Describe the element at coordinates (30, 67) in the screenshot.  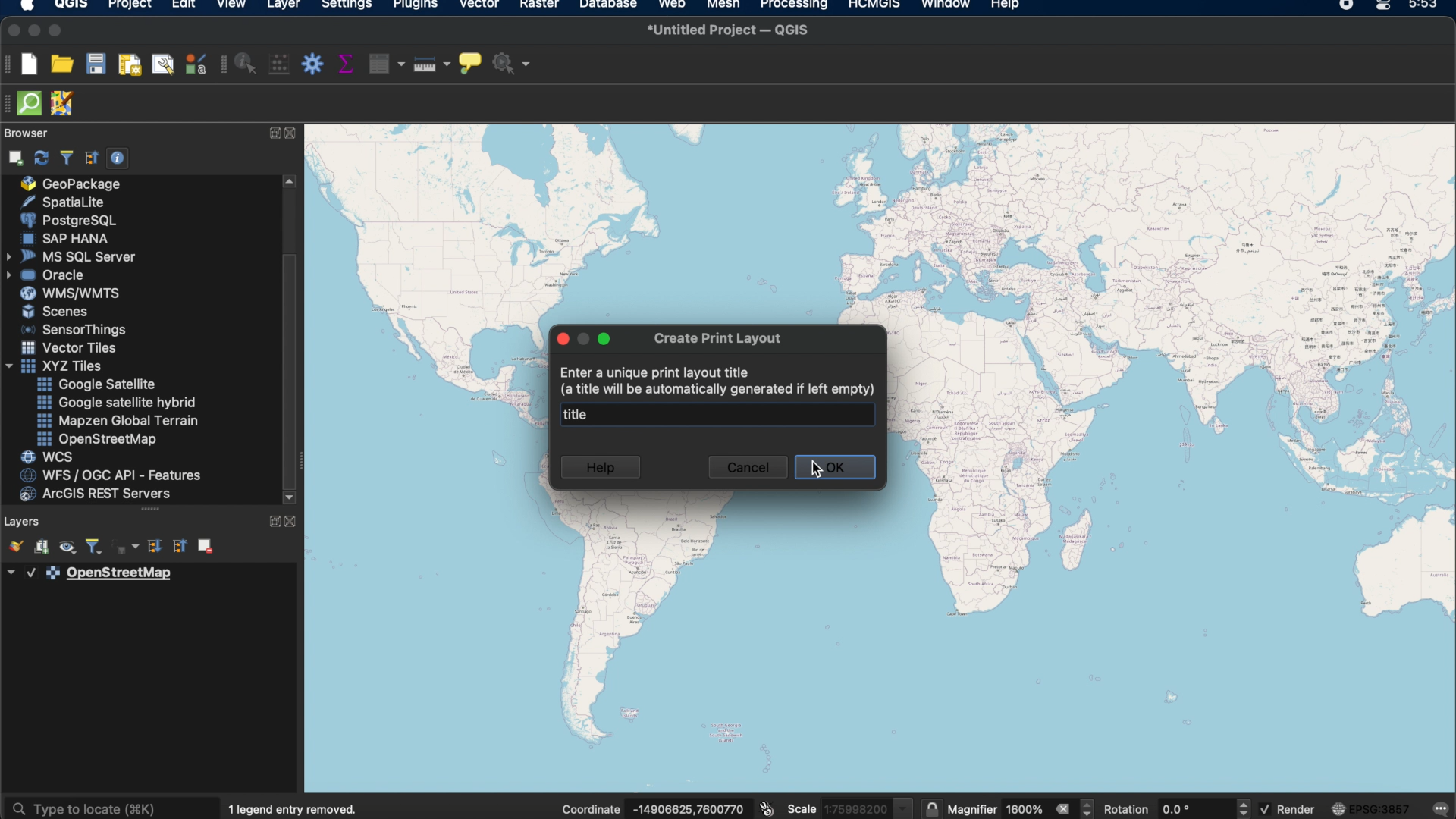
I see `new project` at that location.